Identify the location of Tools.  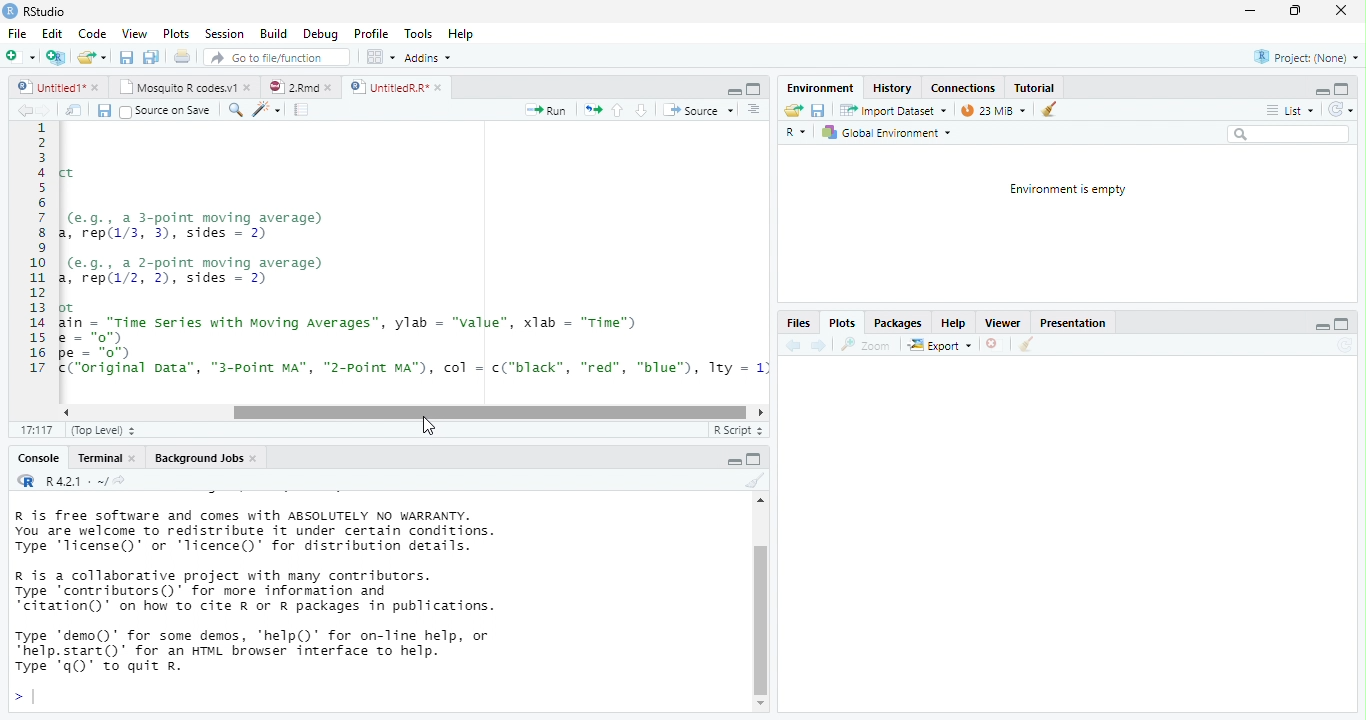
(419, 33).